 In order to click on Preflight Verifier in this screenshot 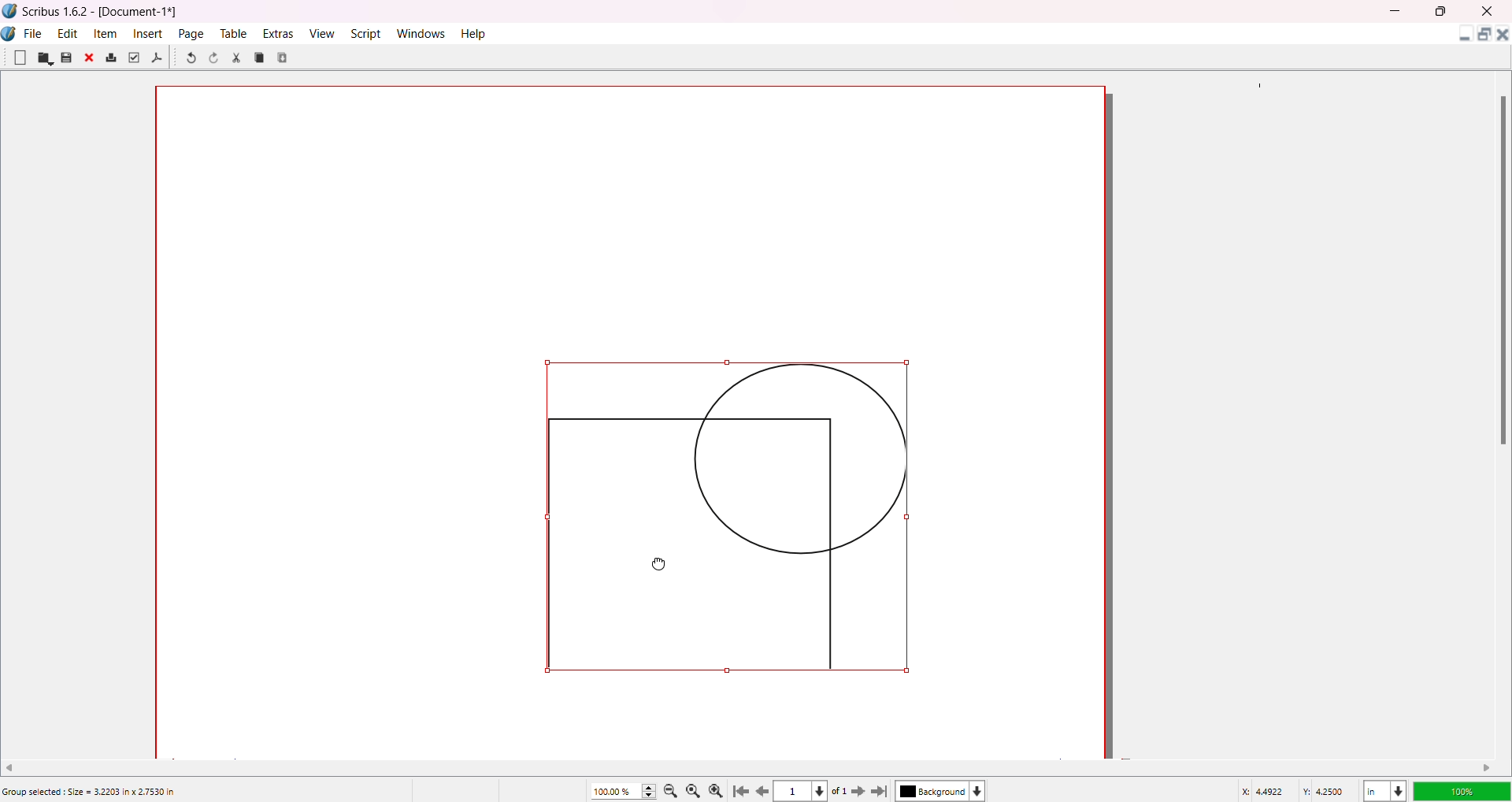, I will do `click(133, 58)`.